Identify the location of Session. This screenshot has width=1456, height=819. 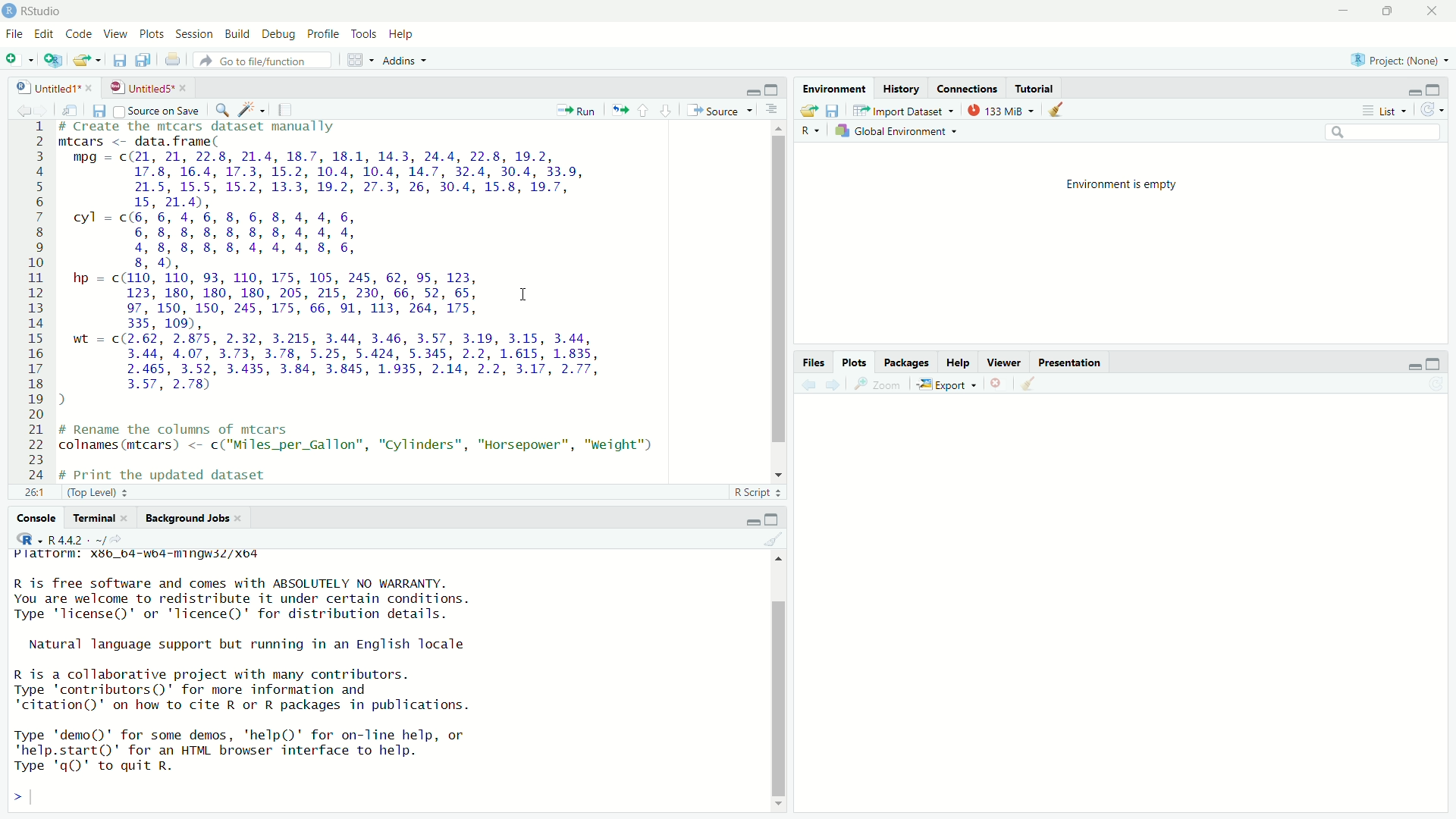
(194, 33).